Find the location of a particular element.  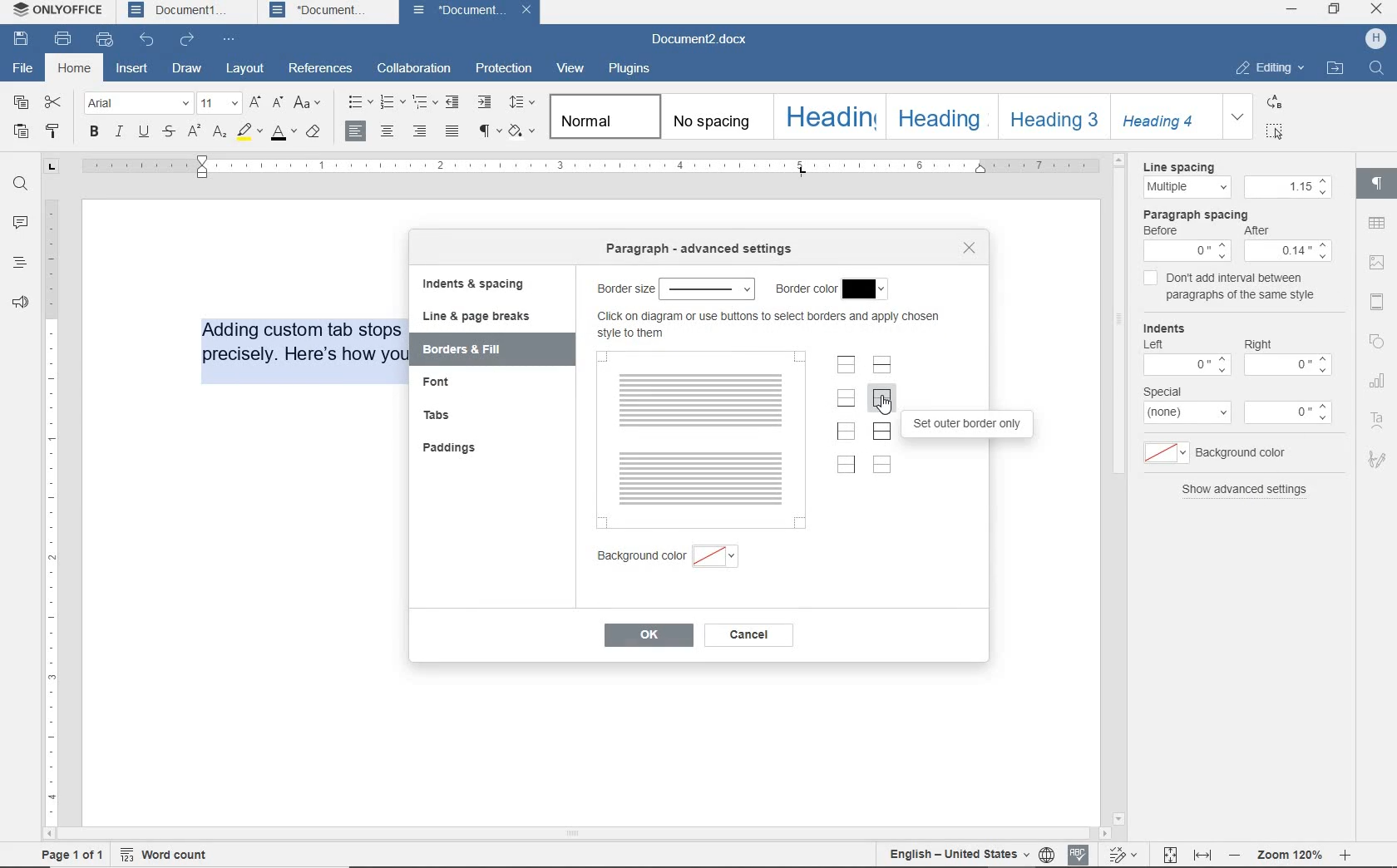

cut is located at coordinates (52, 104).